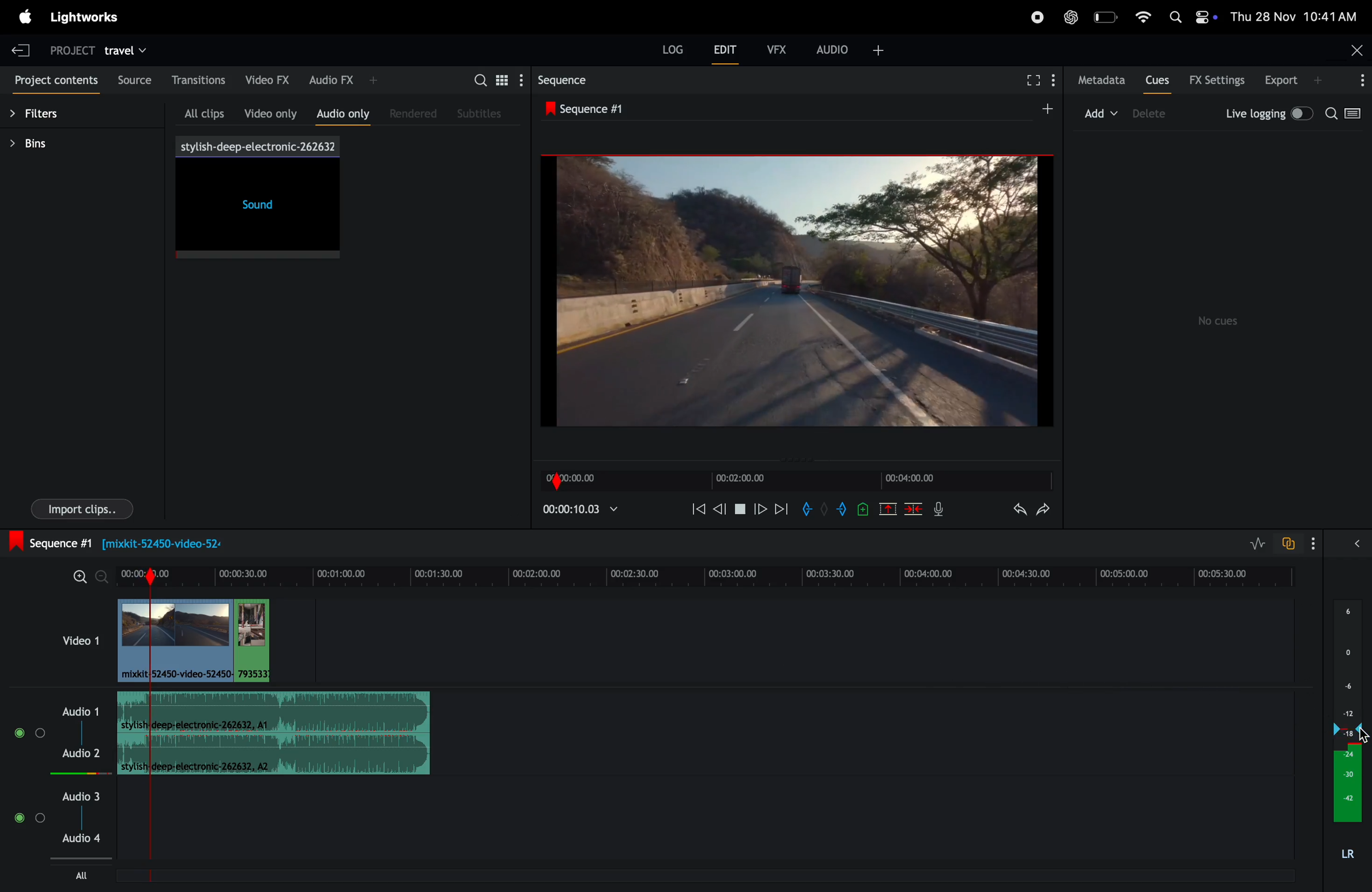 This screenshot has height=892, width=1372. Describe the element at coordinates (74, 644) in the screenshot. I see `video 1` at that location.